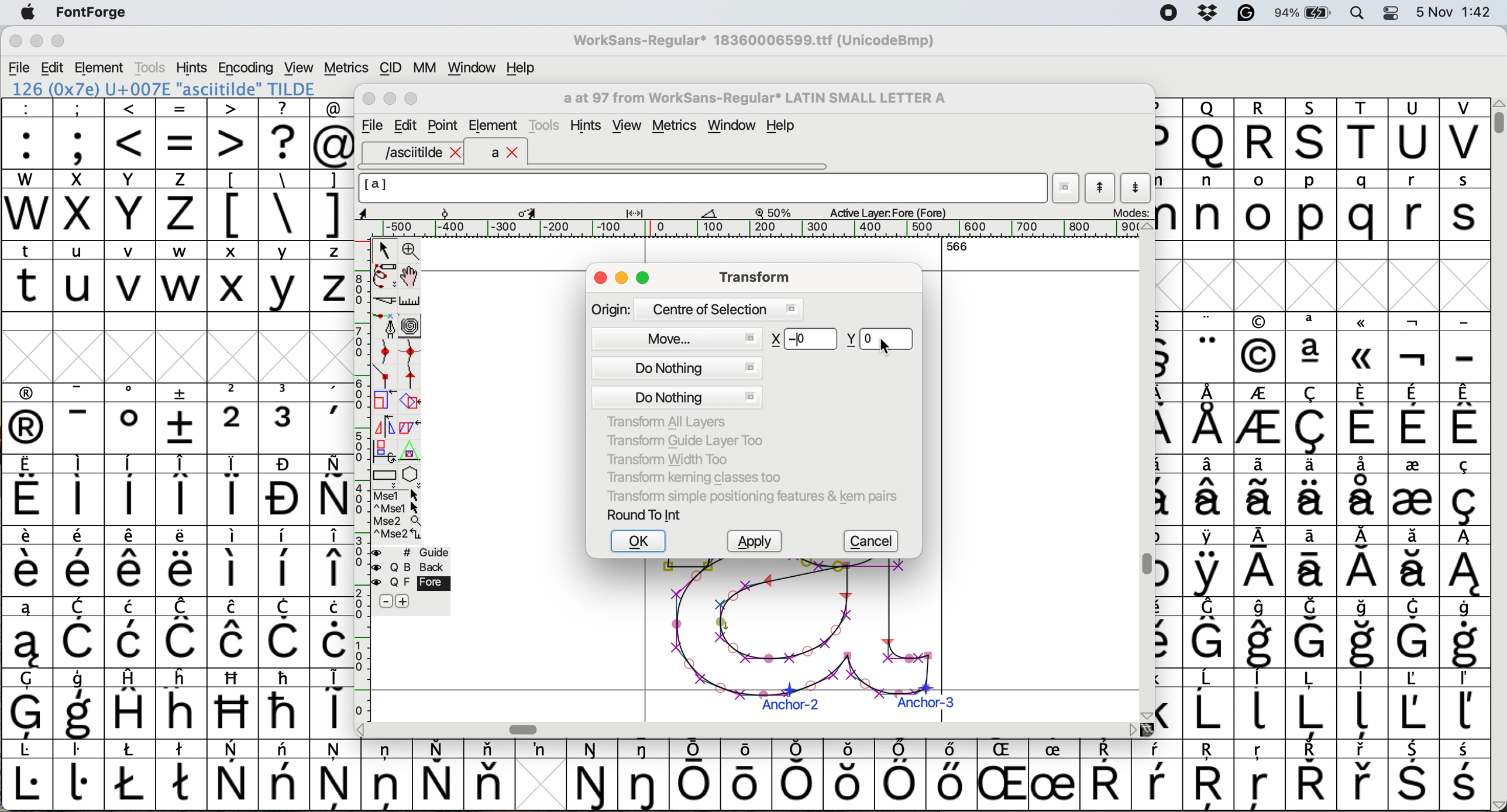 The image size is (1507, 812). Describe the element at coordinates (386, 248) in the screenshot. I see `select` at that location.